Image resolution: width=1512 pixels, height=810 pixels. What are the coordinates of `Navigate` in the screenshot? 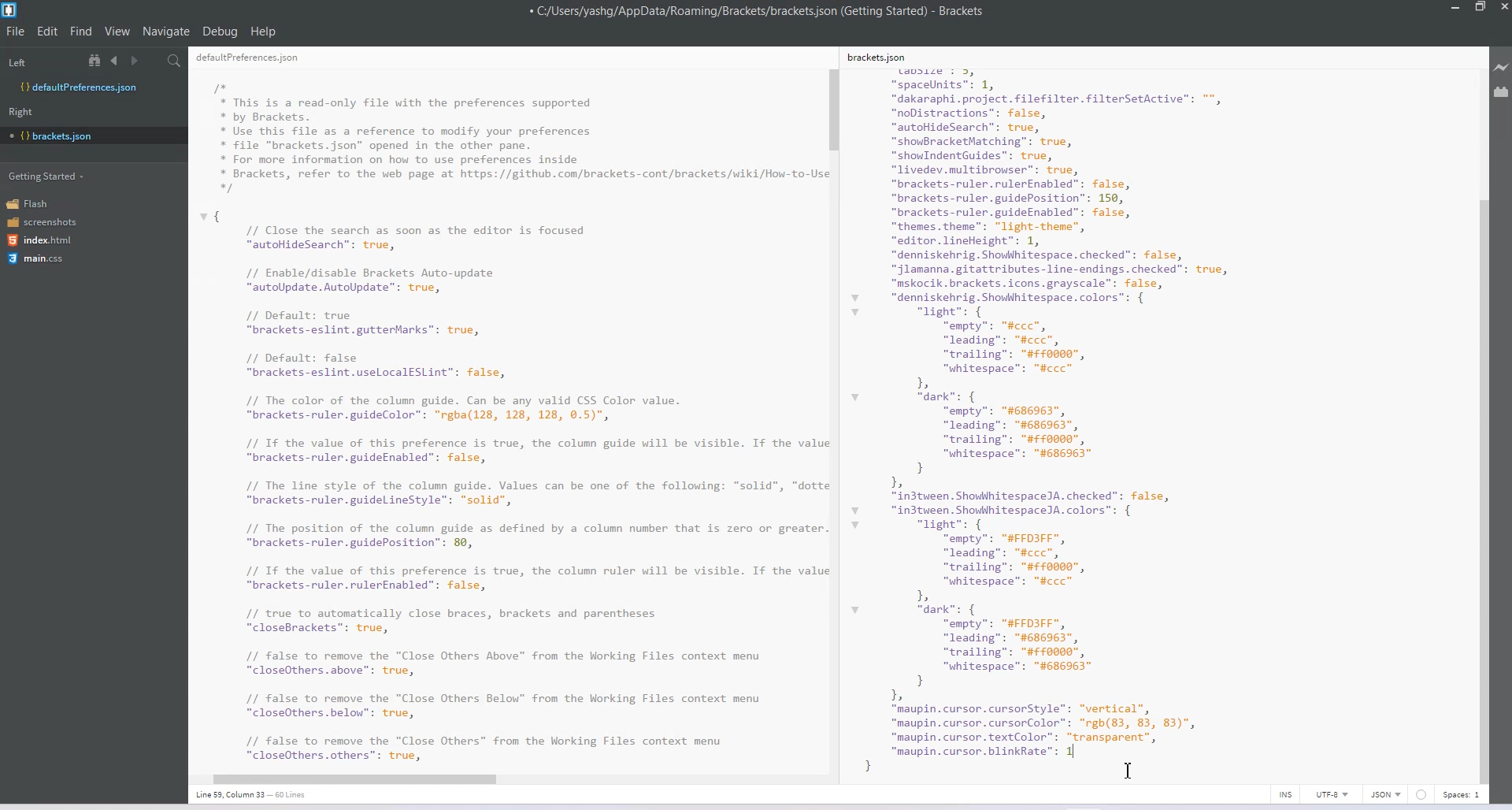 It's located at (168, 32).